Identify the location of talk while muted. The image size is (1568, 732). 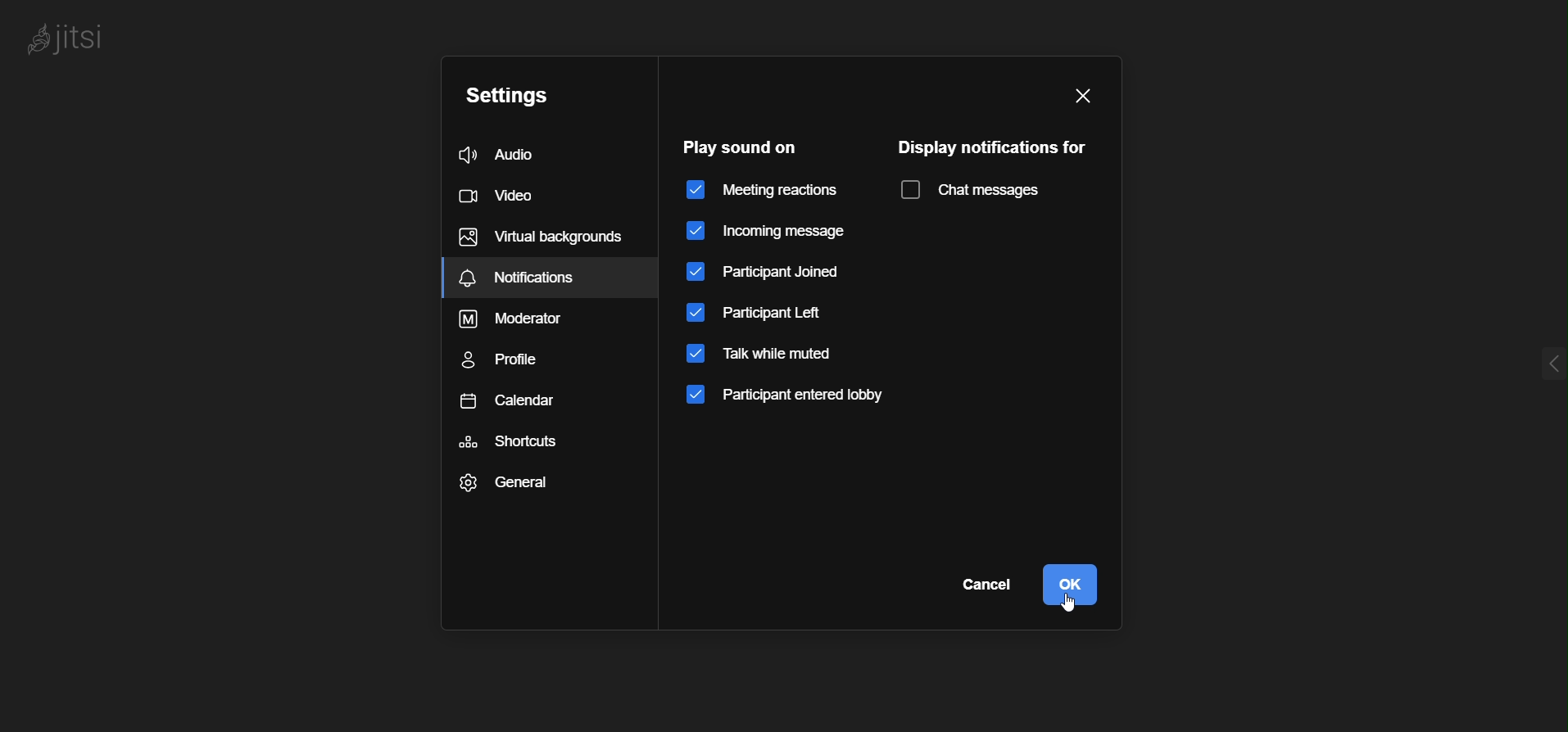
(760, 357).